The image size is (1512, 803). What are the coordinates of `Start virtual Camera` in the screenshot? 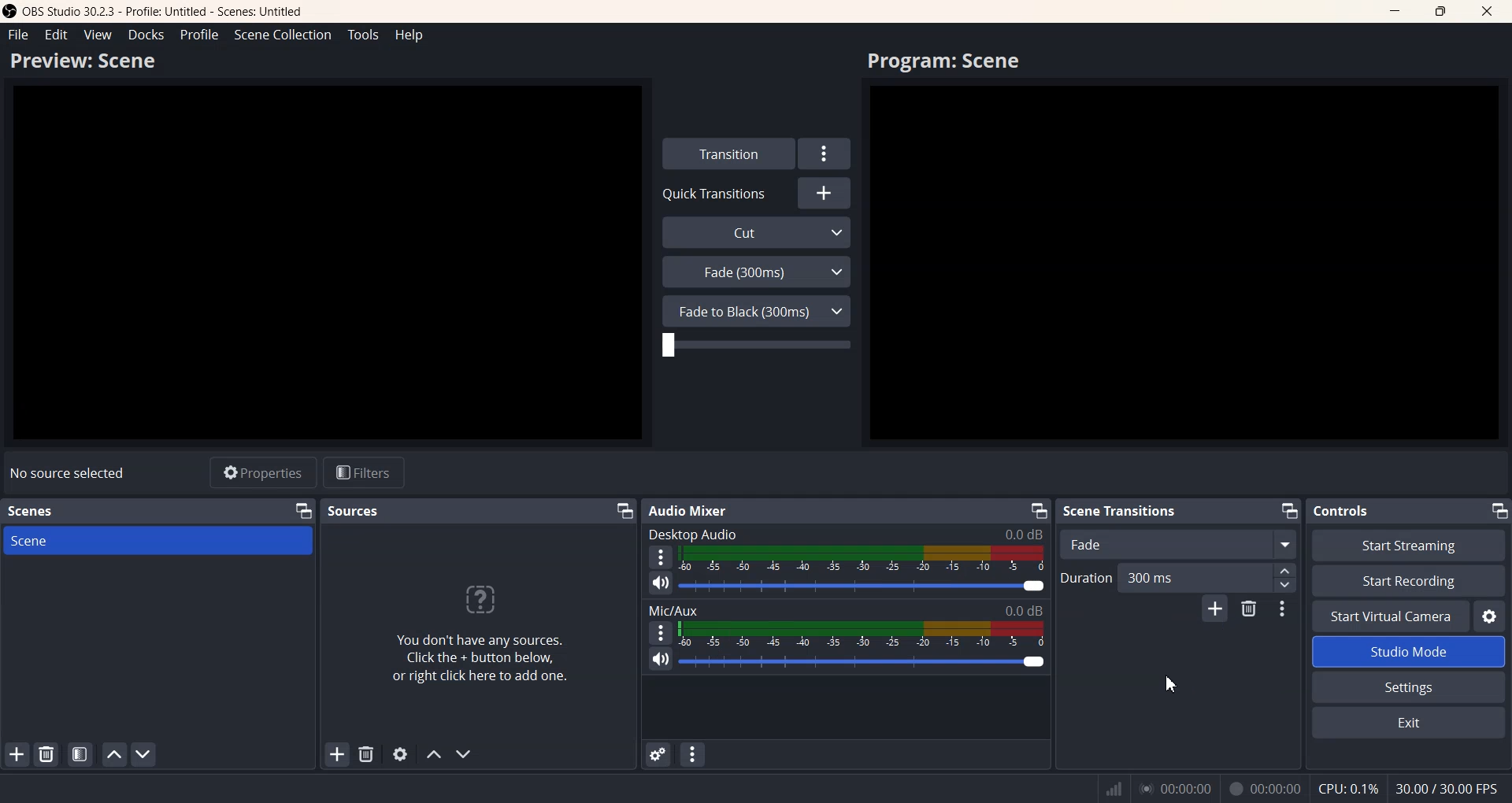 It's located at (1389, 614).